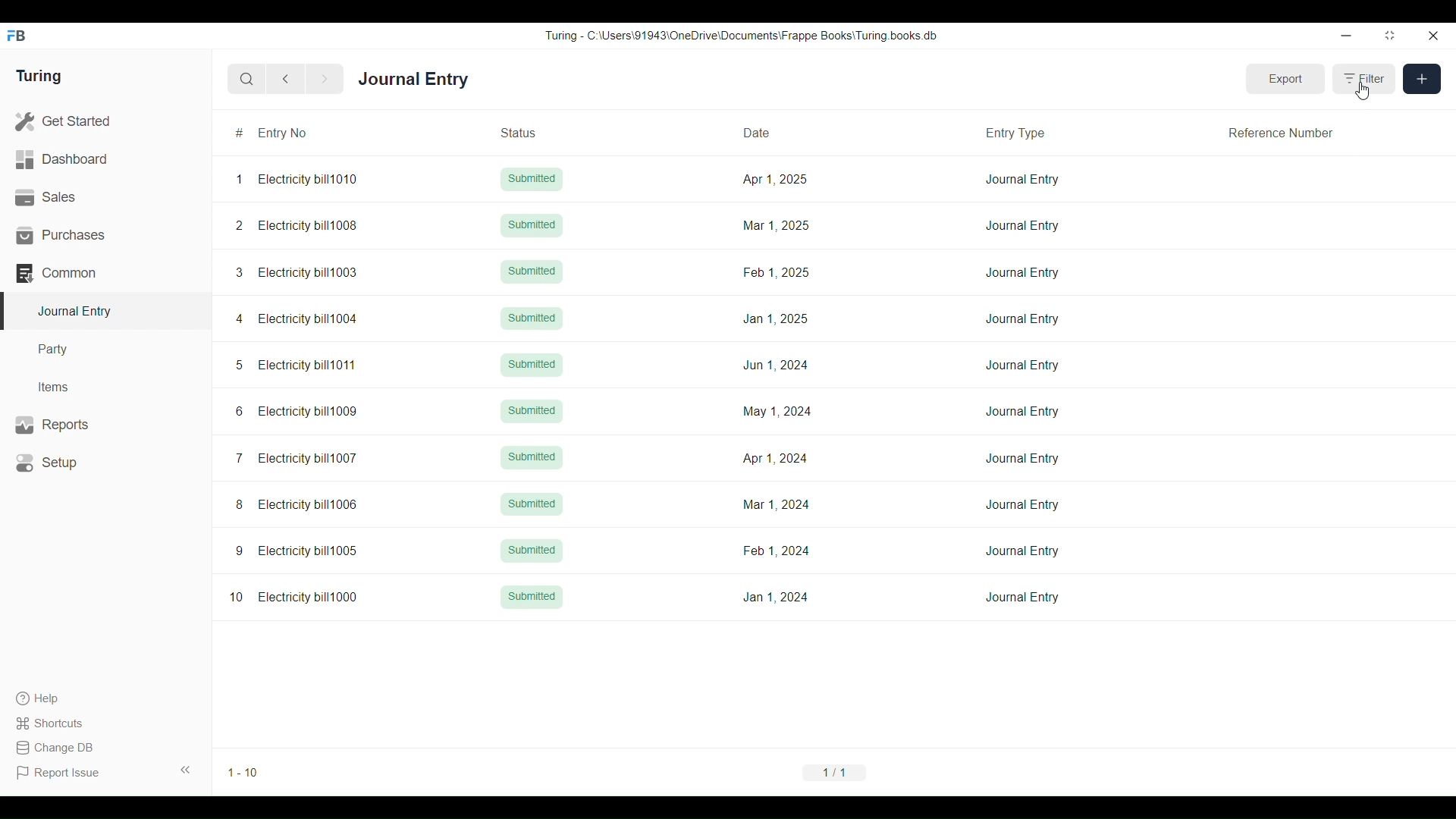 Image resolution: width=1456 pixels, height=819 pixels. I want to click on 10 Electricity bill1000, so click(294, 597).